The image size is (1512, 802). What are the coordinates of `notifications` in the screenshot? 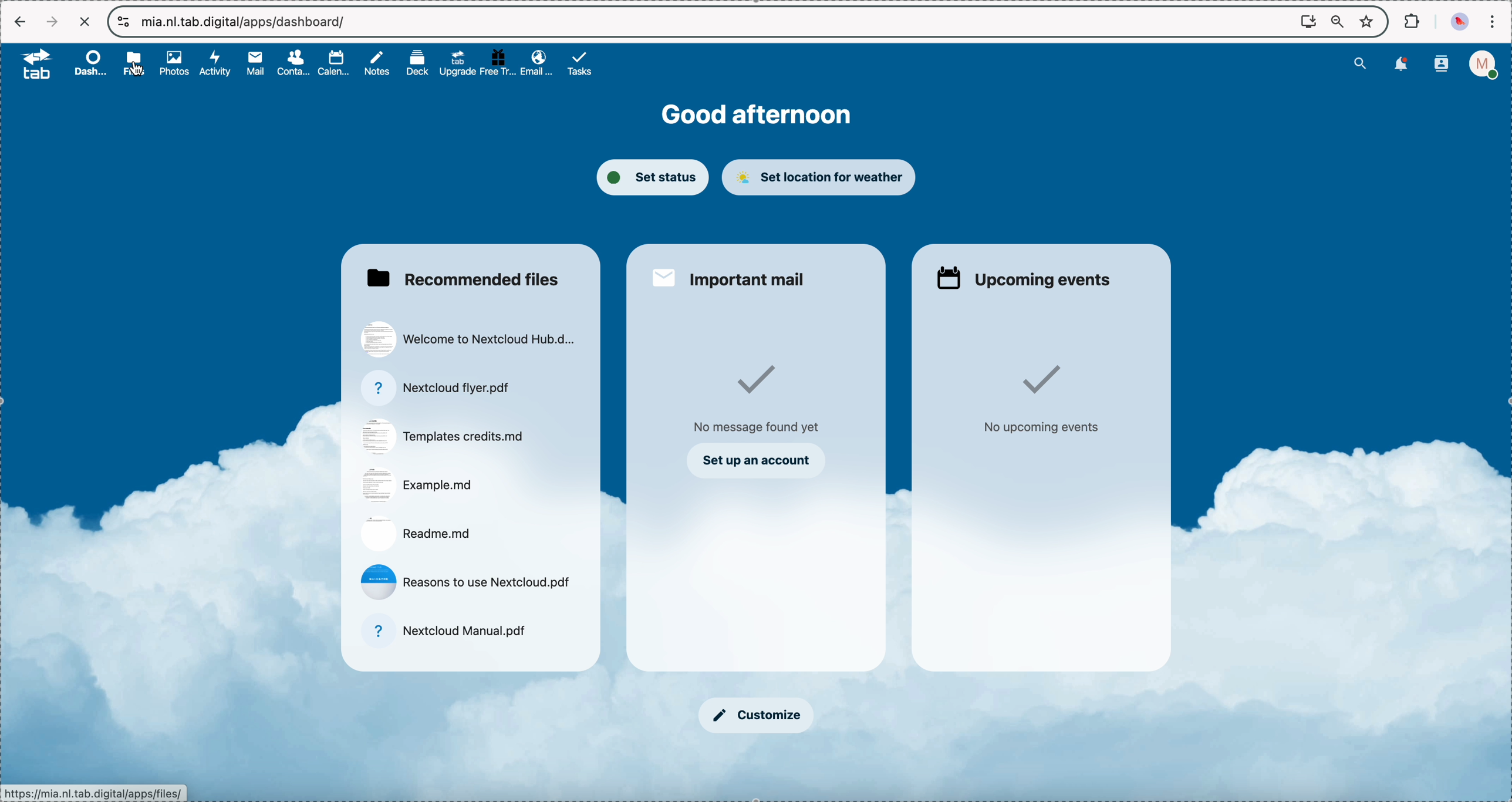 It's located at (1399, 65).